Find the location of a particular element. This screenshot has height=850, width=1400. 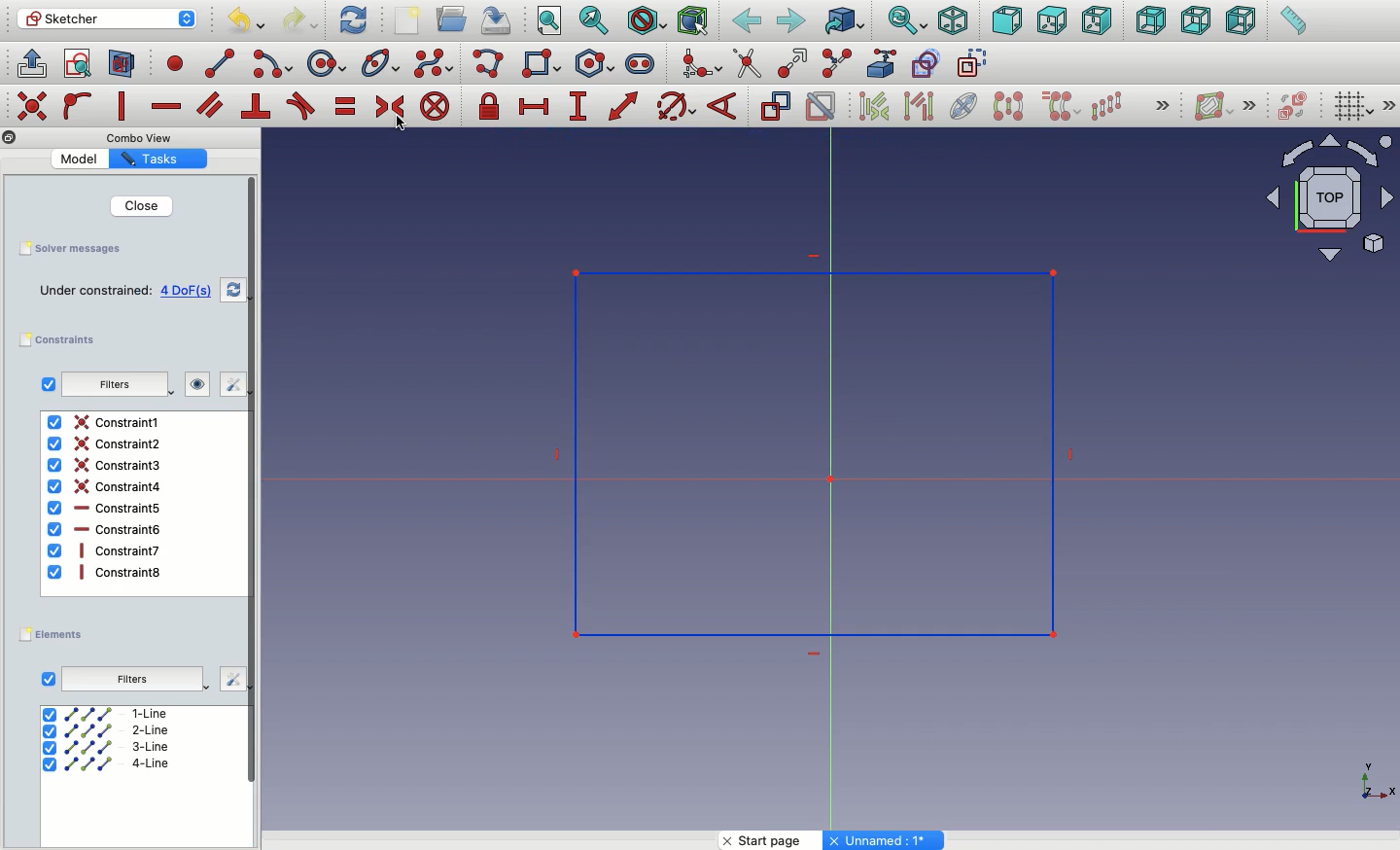

constrain lock is located at coordinates (492, 108).